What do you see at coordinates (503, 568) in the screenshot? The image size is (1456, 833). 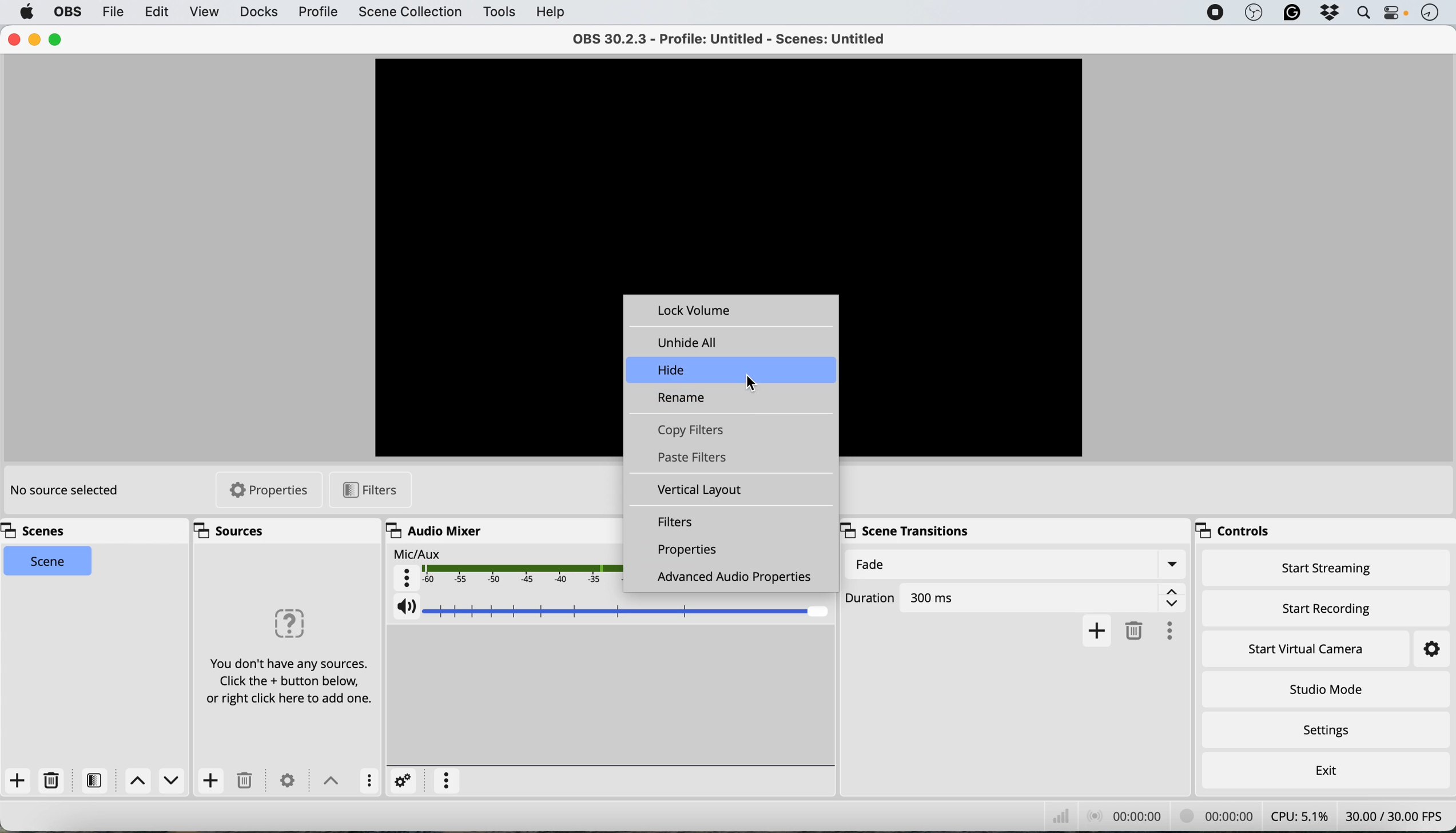 I see `mic aux audio` at bounding box center [503, 568].